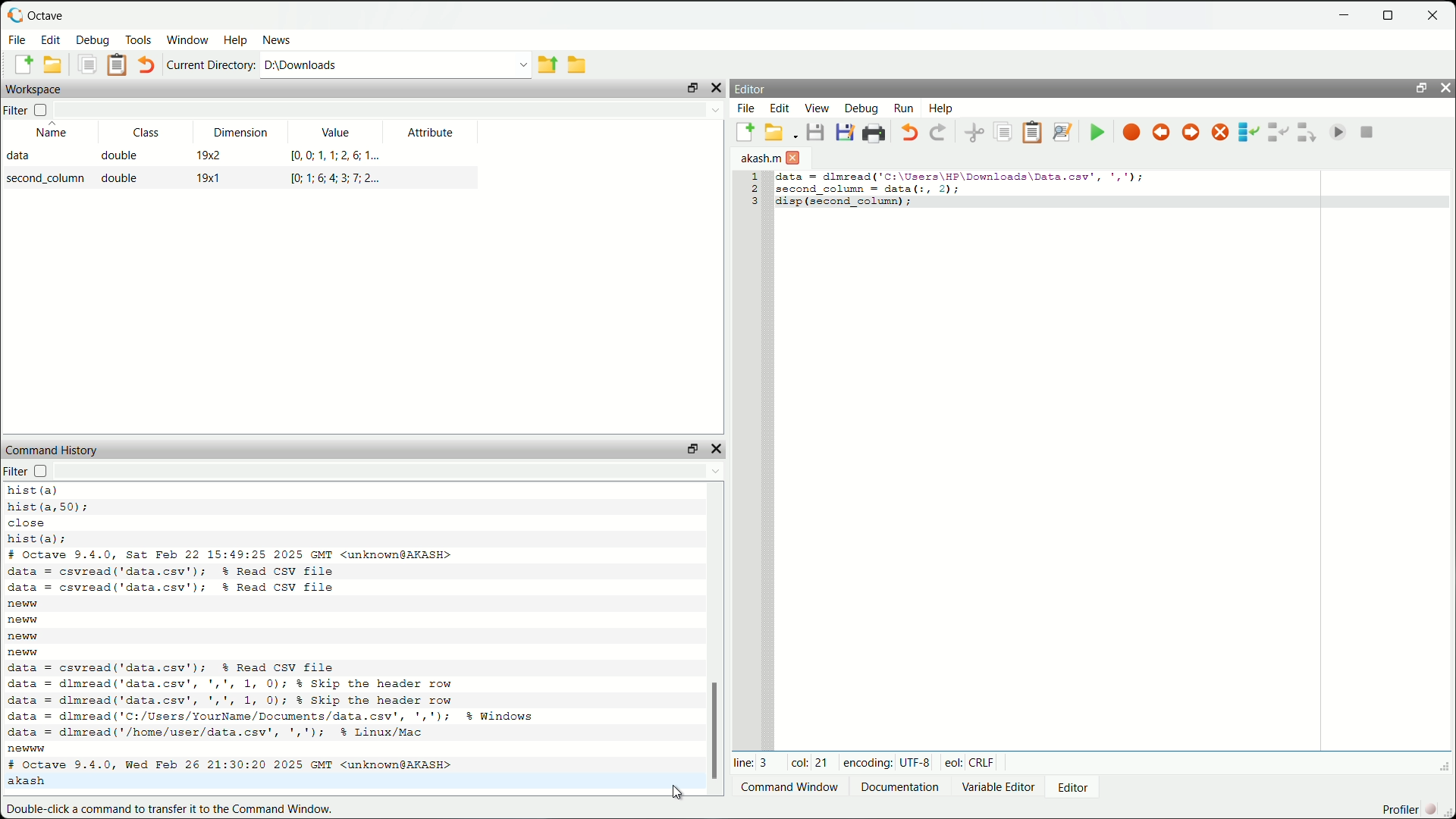 The width and height of the screenshot is (1456, 819). I want to click on edit, so click(50, 39).